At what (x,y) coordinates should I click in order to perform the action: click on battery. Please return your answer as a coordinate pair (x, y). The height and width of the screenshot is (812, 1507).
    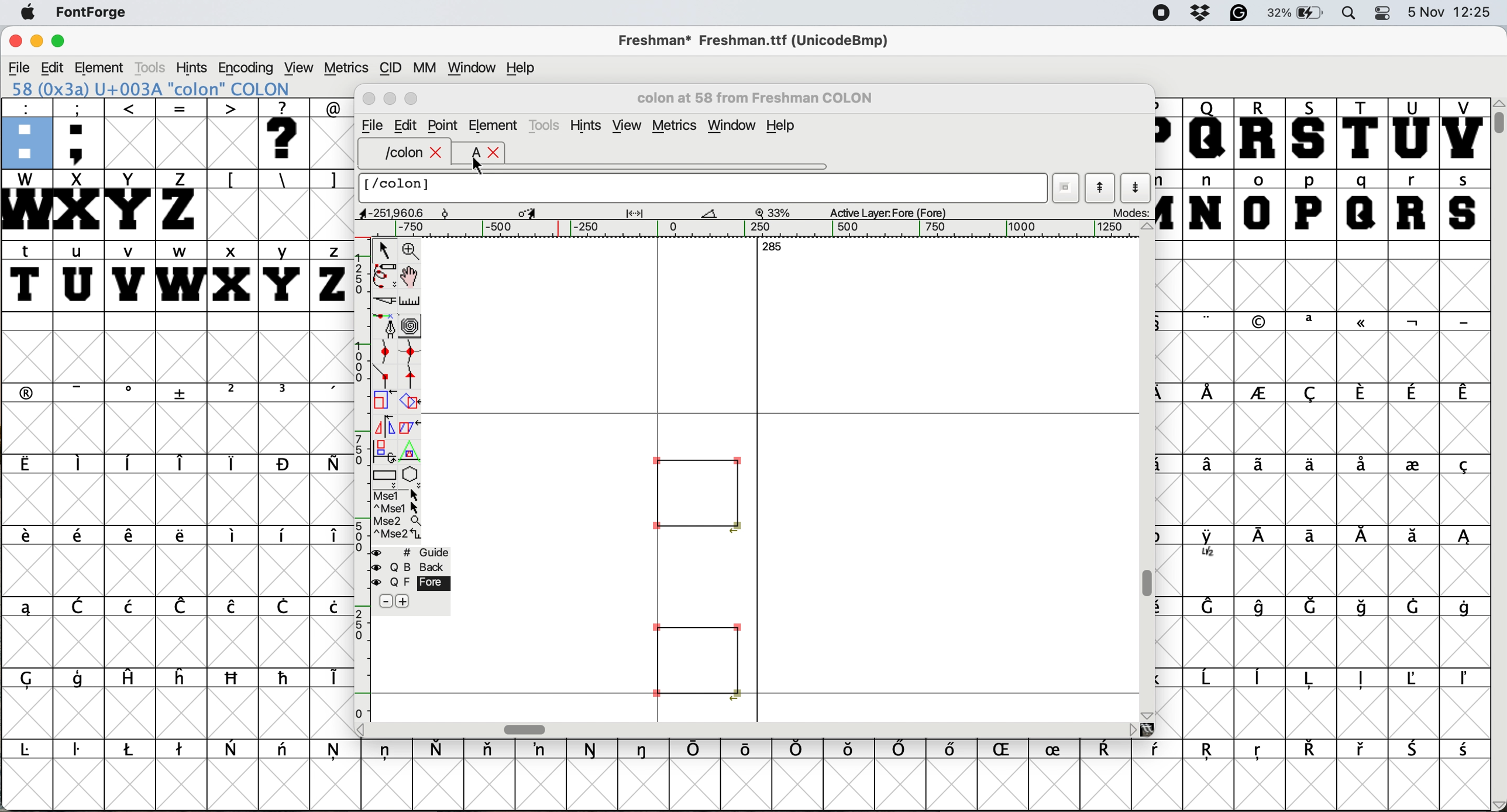
    Looking at the image, I should click on (1298, 13).